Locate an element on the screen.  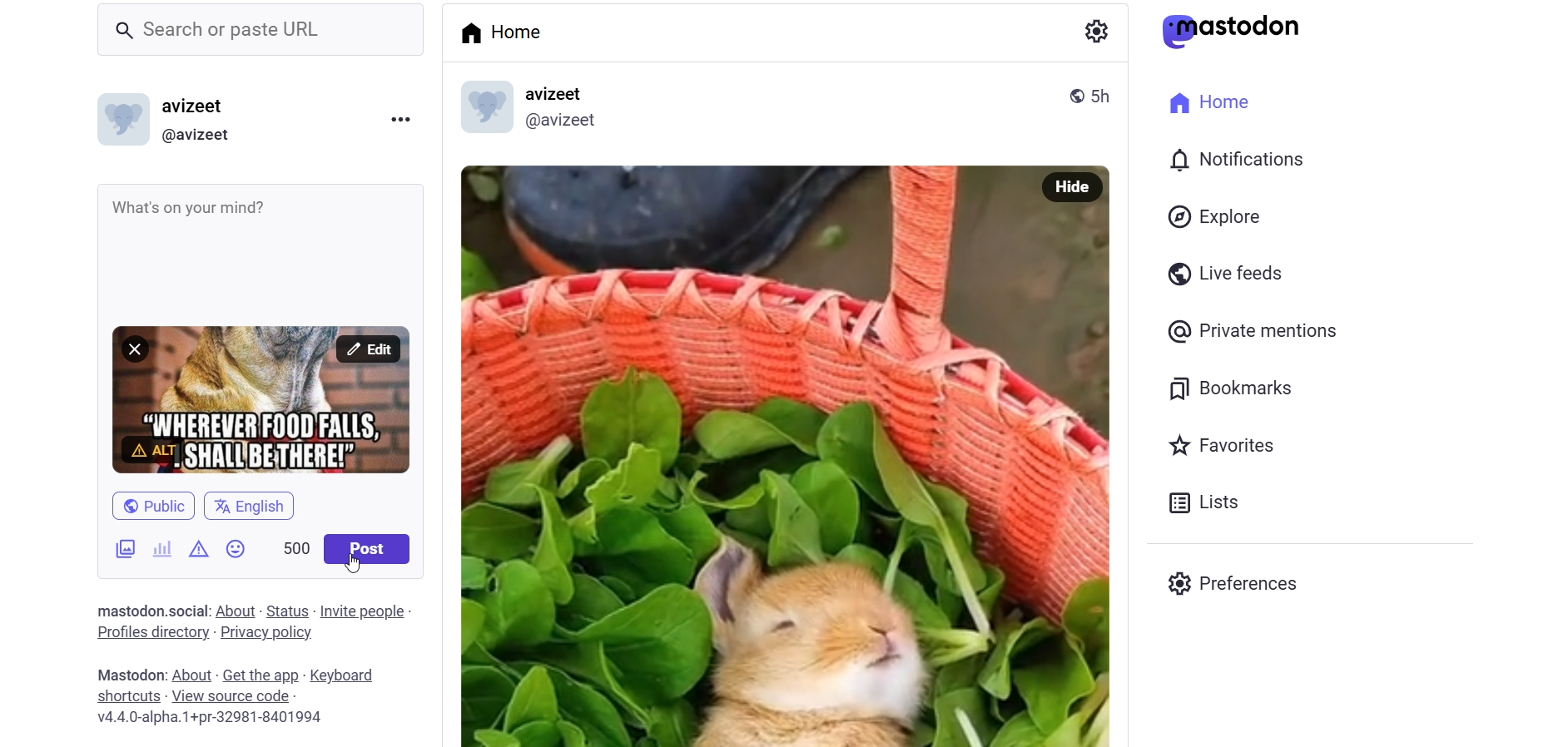
id is located at coordinates (201, 136).